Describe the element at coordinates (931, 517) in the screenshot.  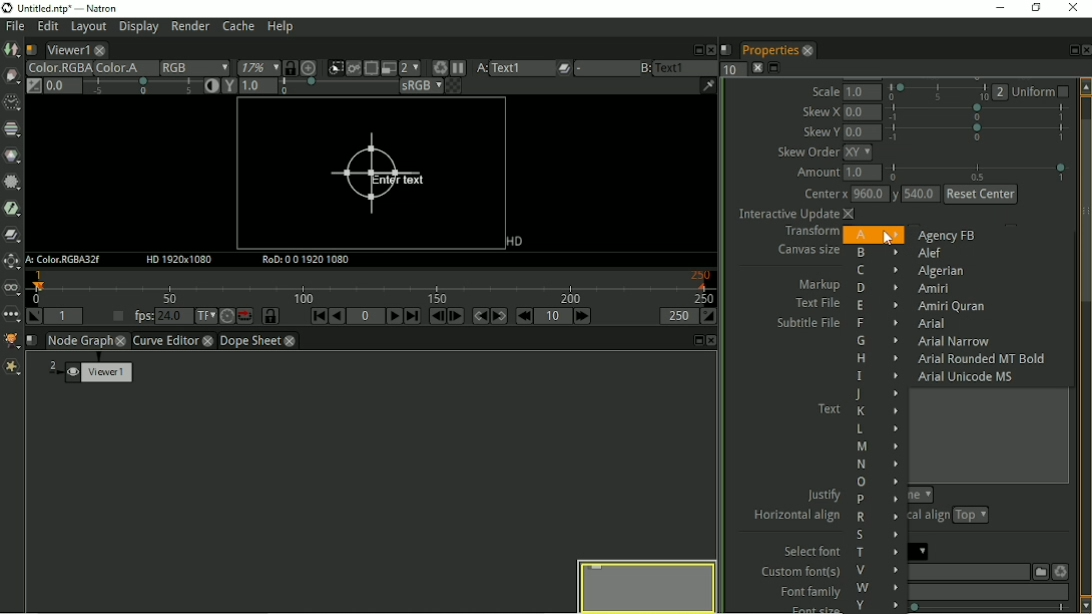
I see `Vertical align` at that location.